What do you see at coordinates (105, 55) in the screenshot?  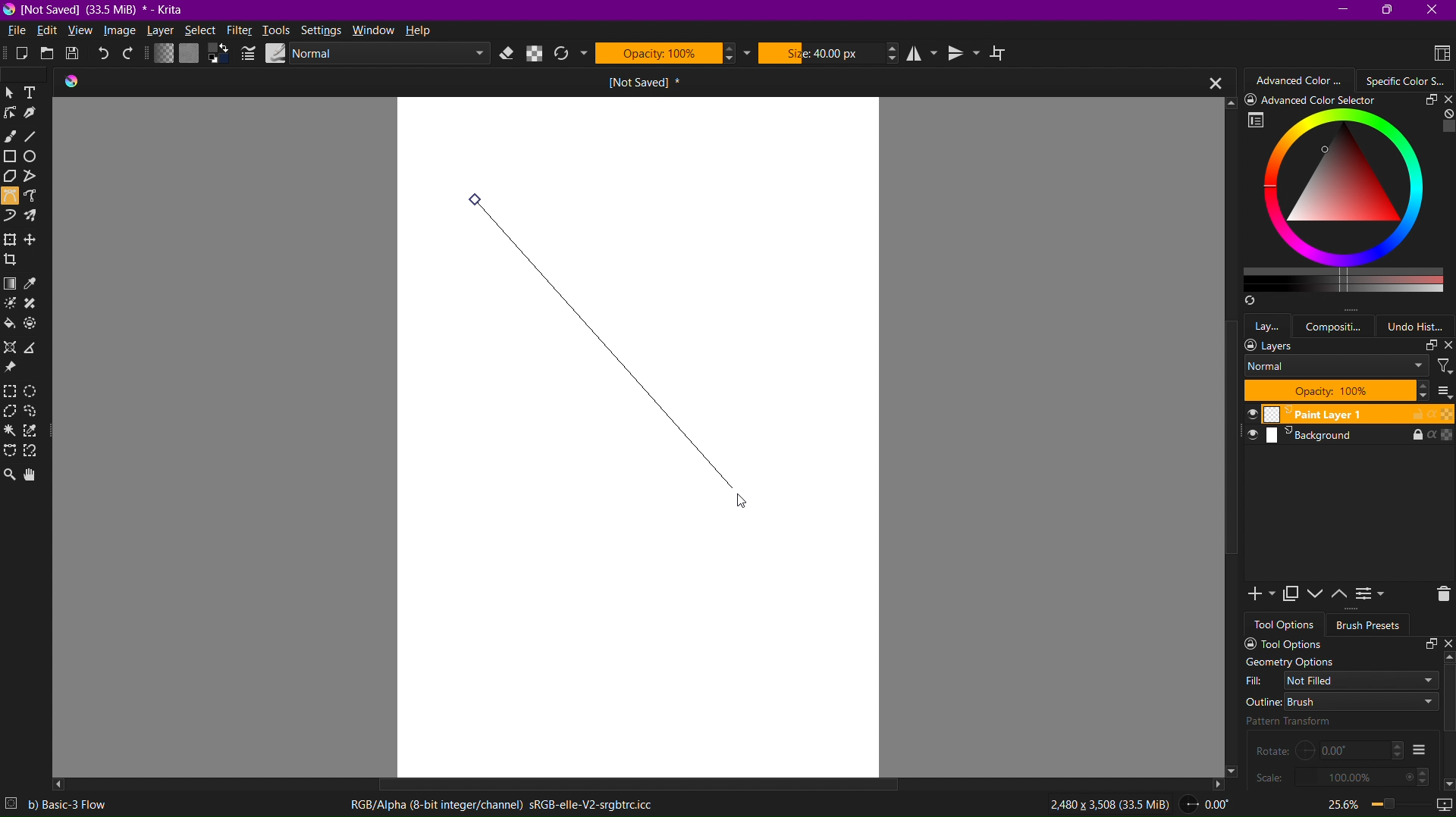 I see `Undo` at bounding box center [105, 55].